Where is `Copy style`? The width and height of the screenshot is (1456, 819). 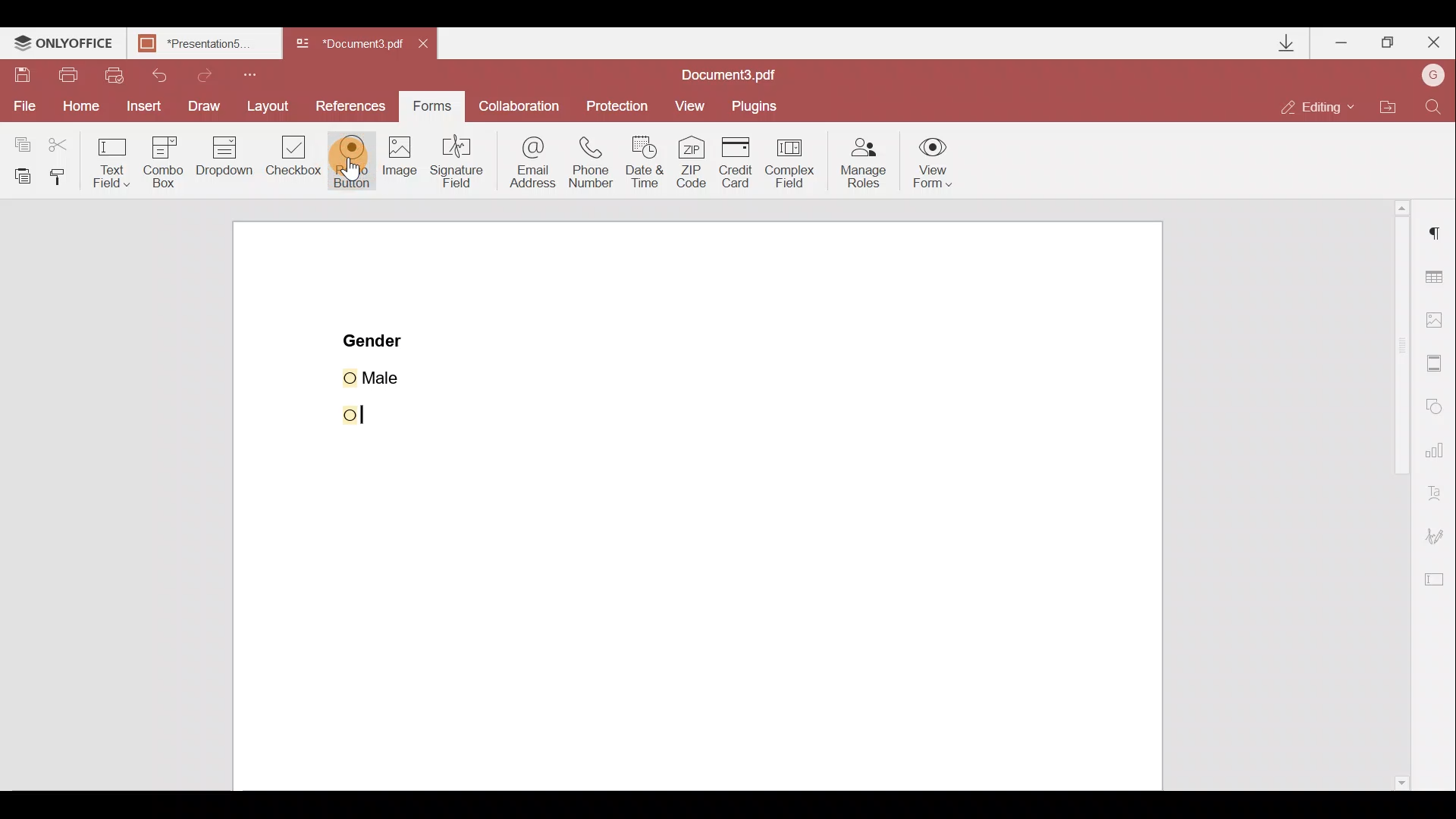 Copy style is located at coordinates (64, 175).